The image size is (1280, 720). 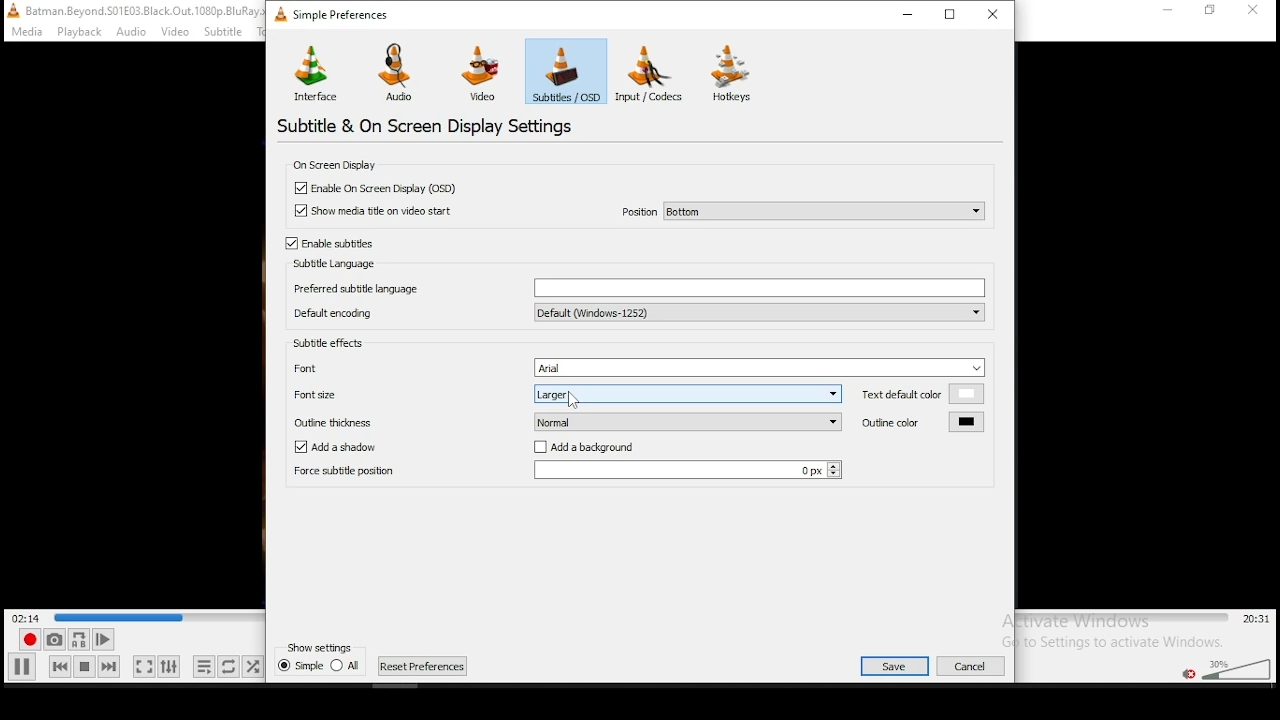 What do you see at coordinates (376, 188) in the screenshot?
I see `checkbox: enable on screen display` at bounding box center [376, 188].